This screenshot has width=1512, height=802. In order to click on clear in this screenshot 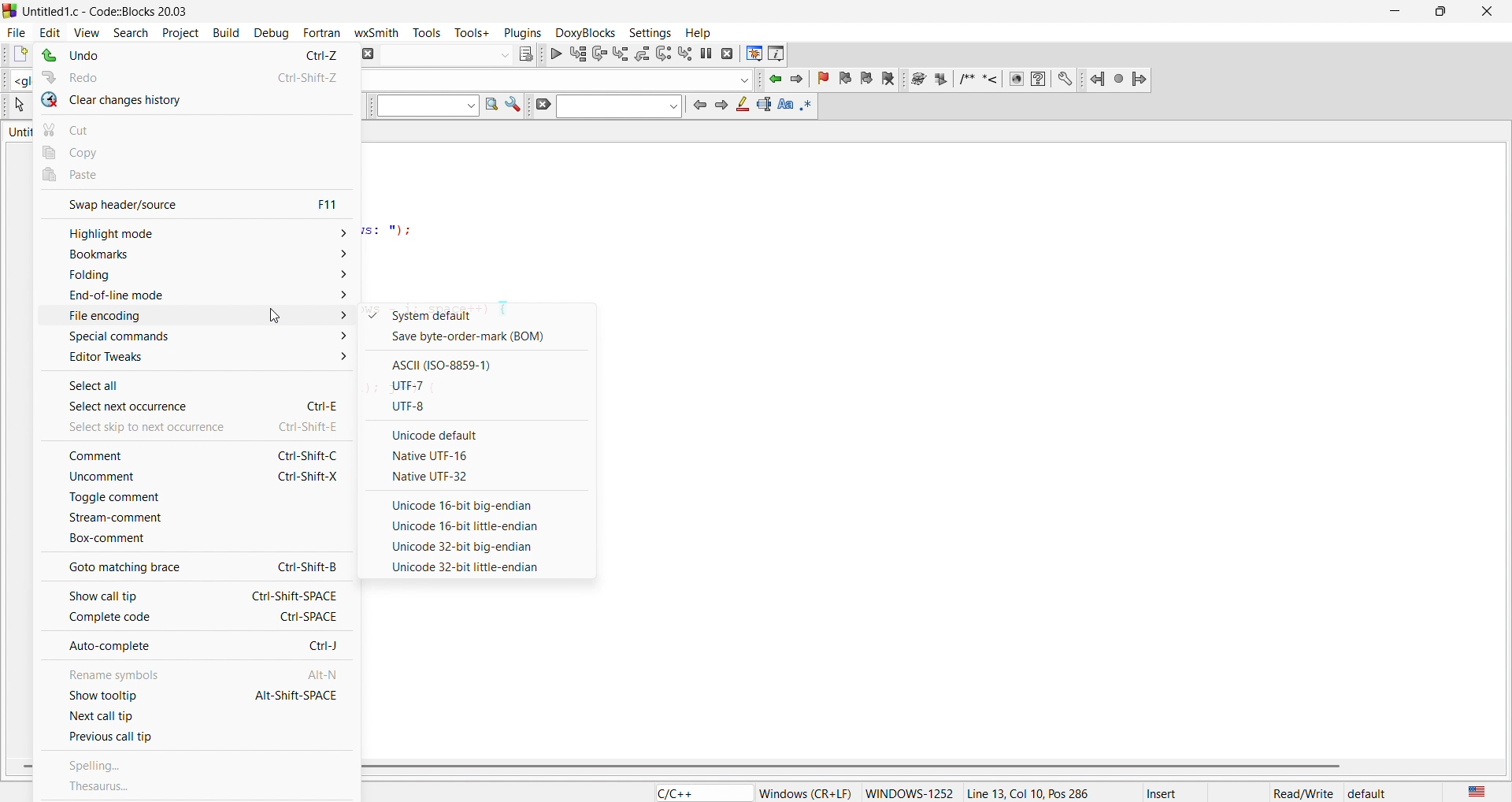, I will do `click(540, 105)`.